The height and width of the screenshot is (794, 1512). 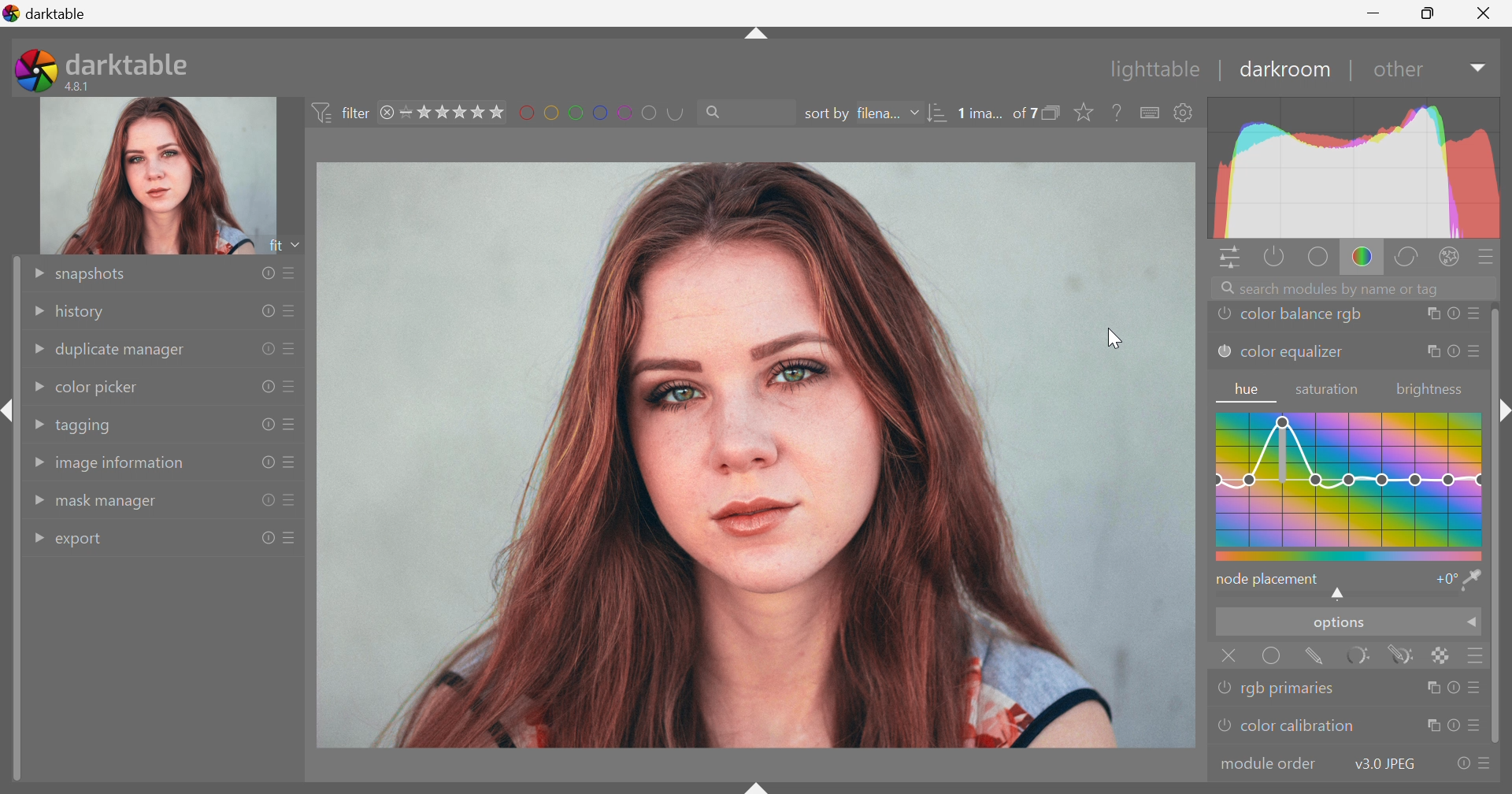 I want to click on filter, so click(x=339, y=110).